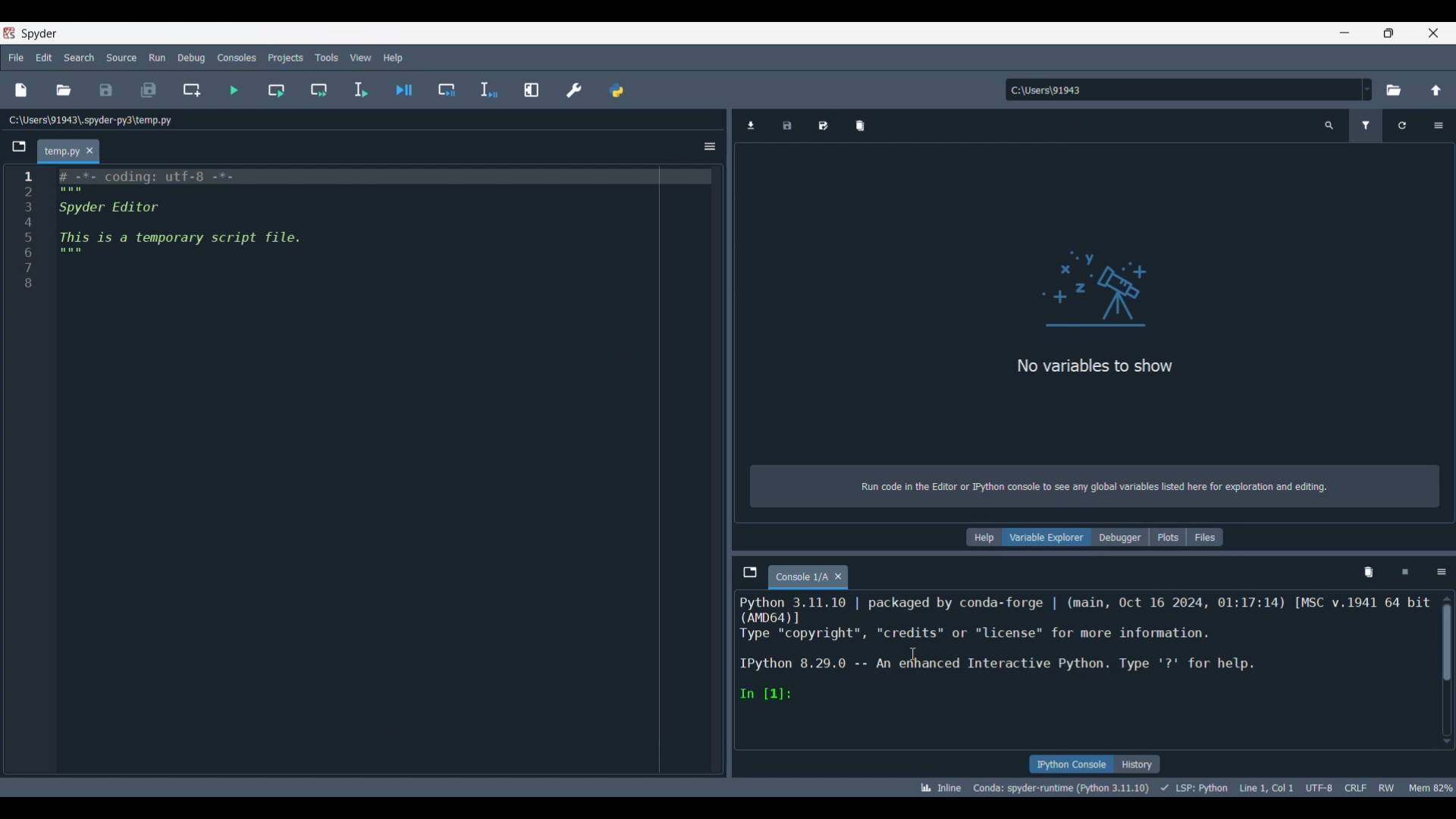 The width and height of the screenshot is (1456, 819). I want to click on Panel logo and text, so click(1095, 377).